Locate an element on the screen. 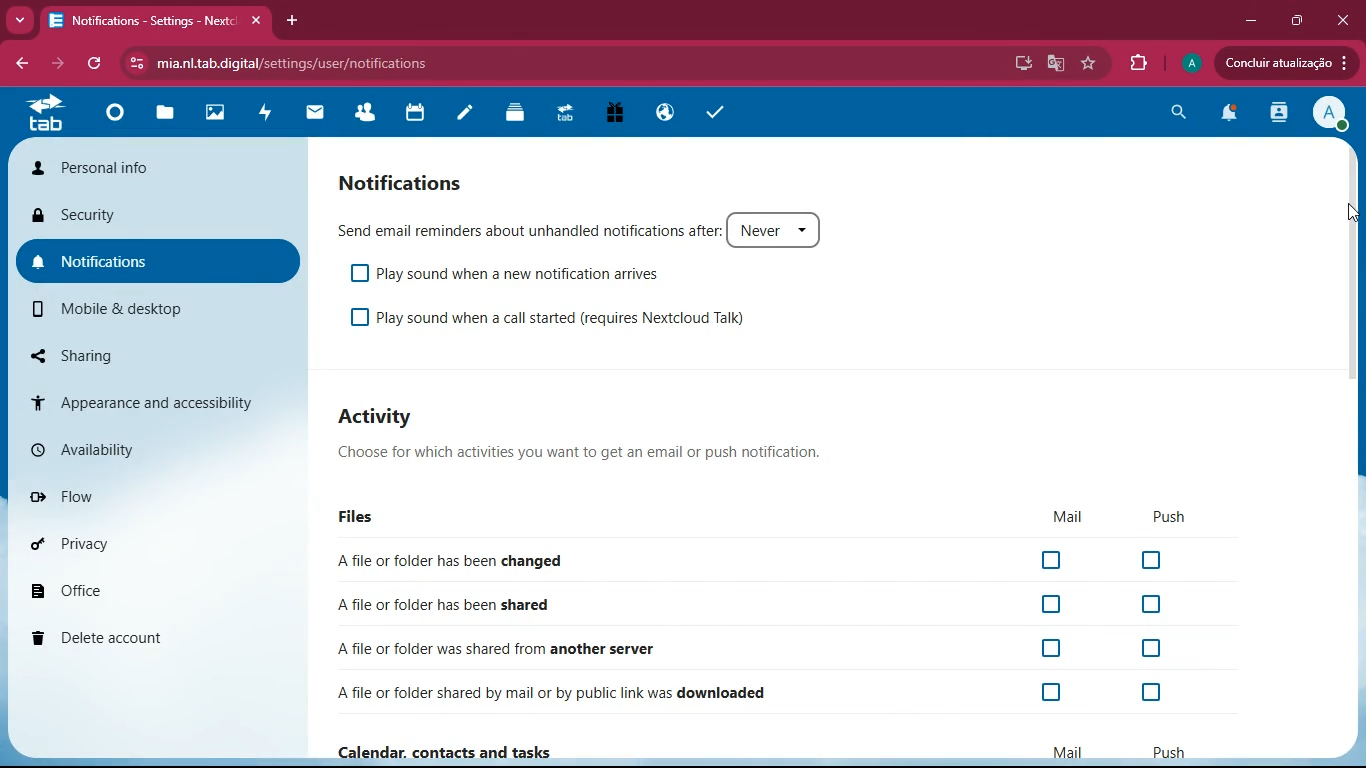  off is located at coordinates (1151, 602).